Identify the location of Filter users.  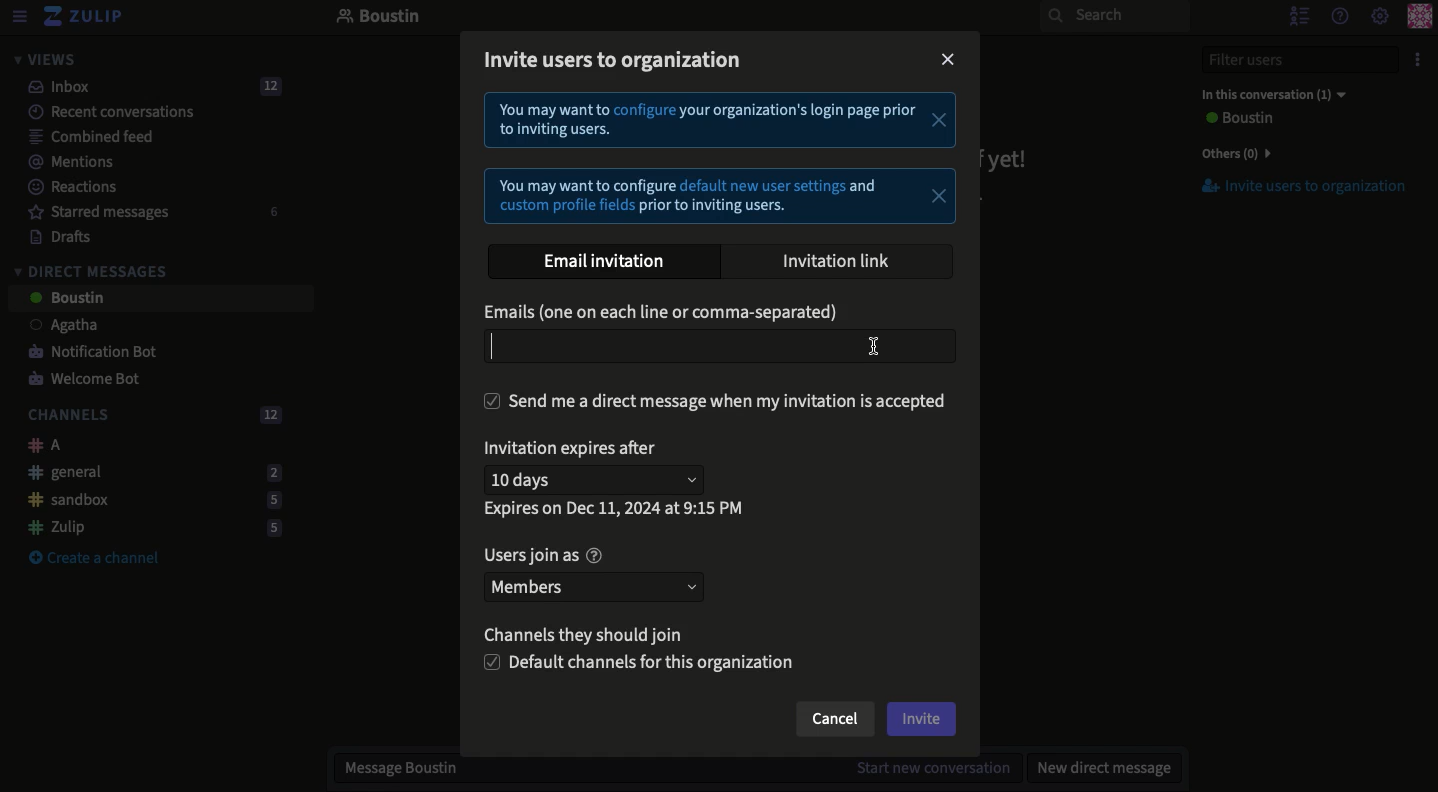
(1288, 60).